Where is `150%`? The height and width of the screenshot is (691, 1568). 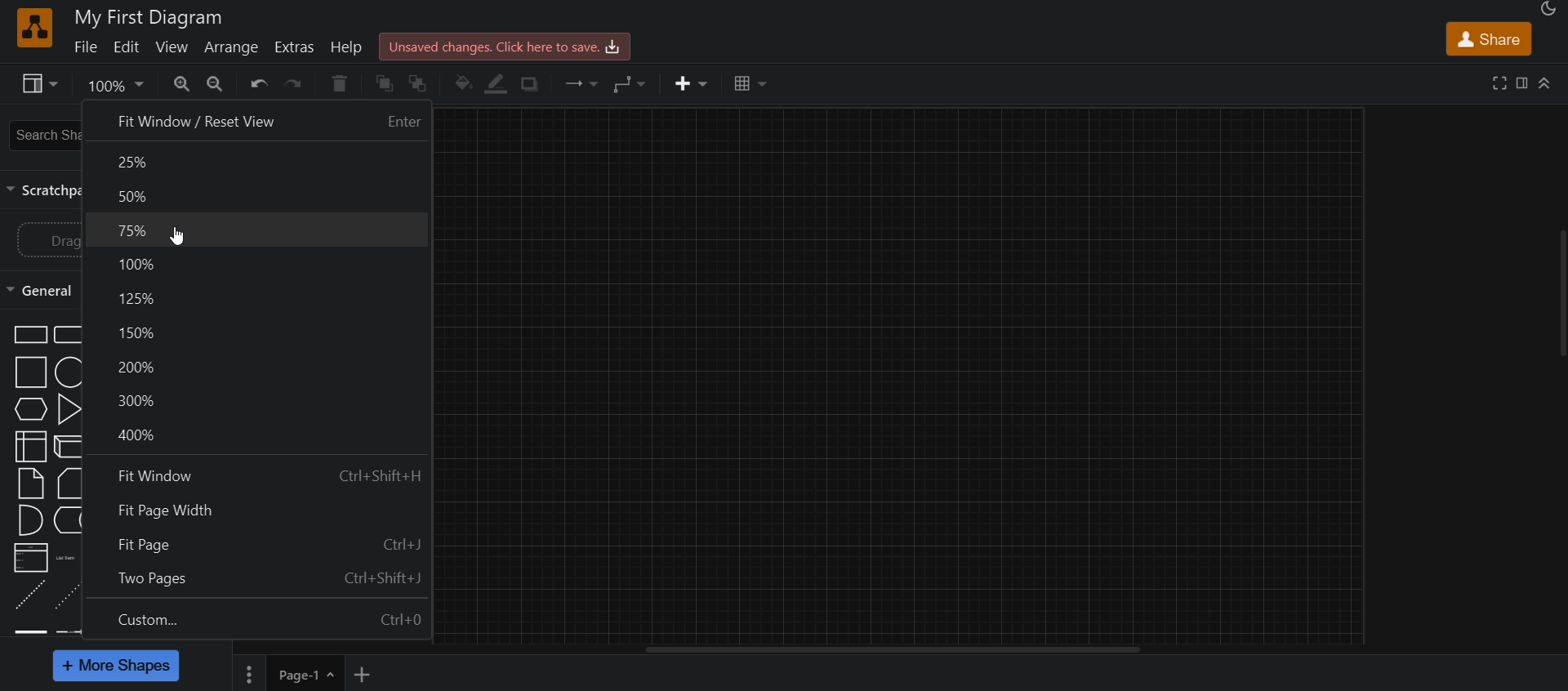
150% is located at coordinates (260, 331).